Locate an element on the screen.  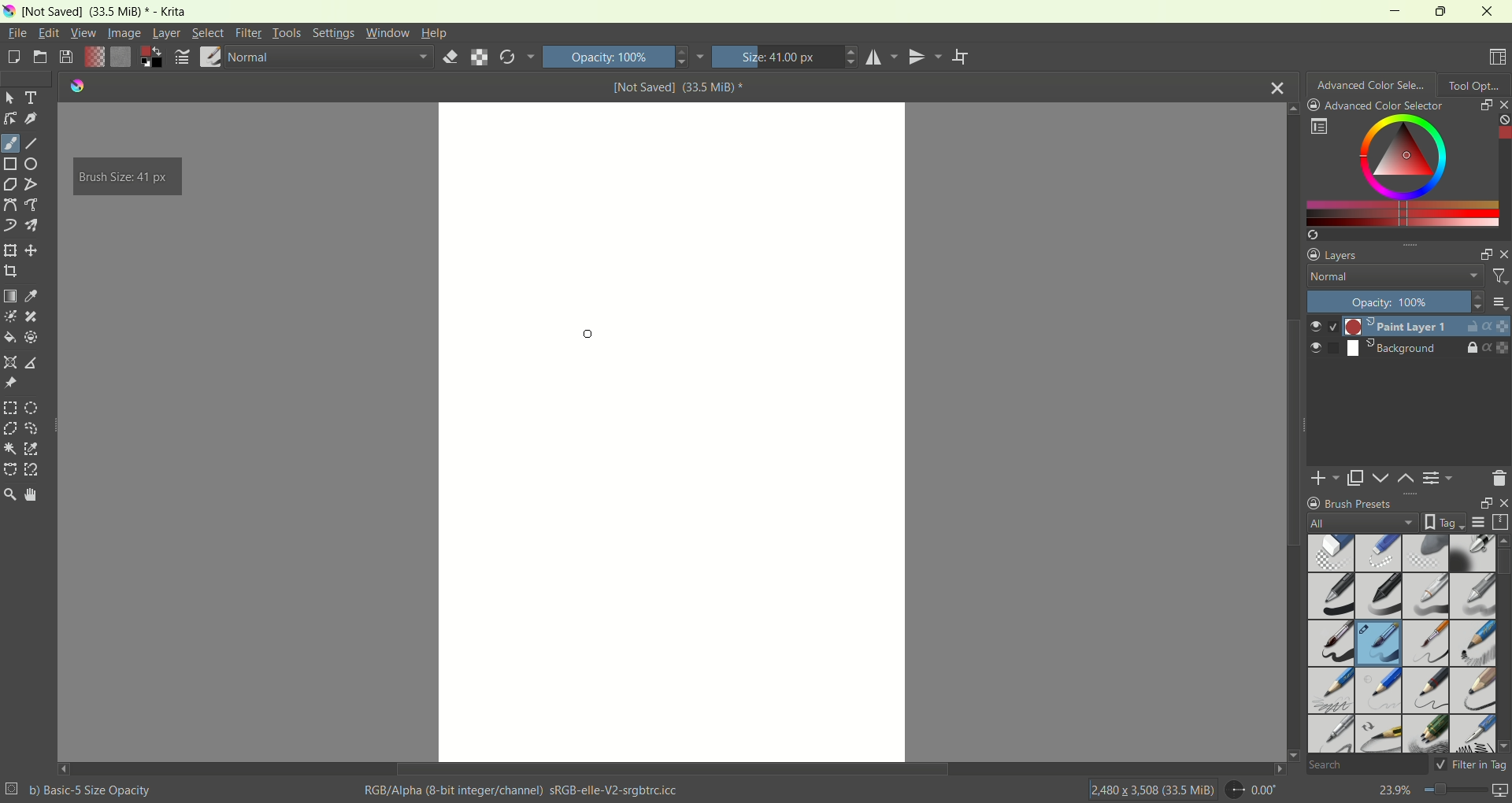
enclose and fill is located at coordinates (31, 339).